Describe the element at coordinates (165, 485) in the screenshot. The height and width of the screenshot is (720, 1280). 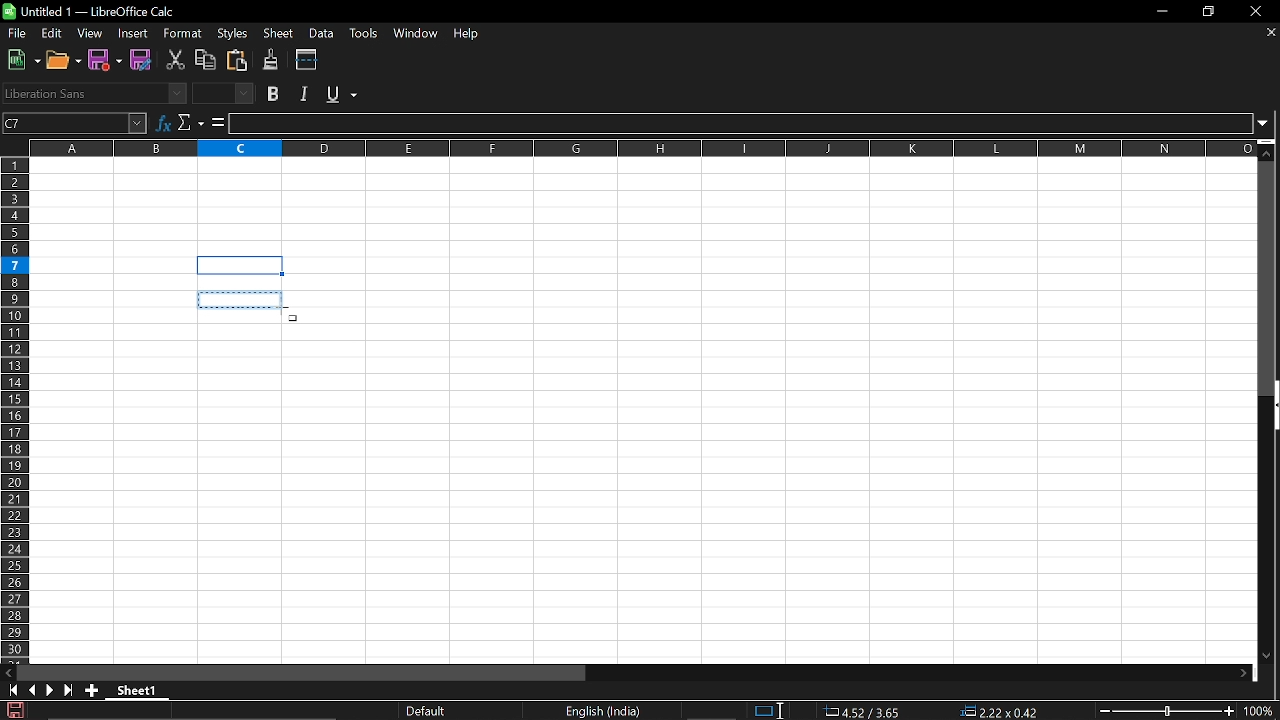
I see `Fillable cells` at that location.